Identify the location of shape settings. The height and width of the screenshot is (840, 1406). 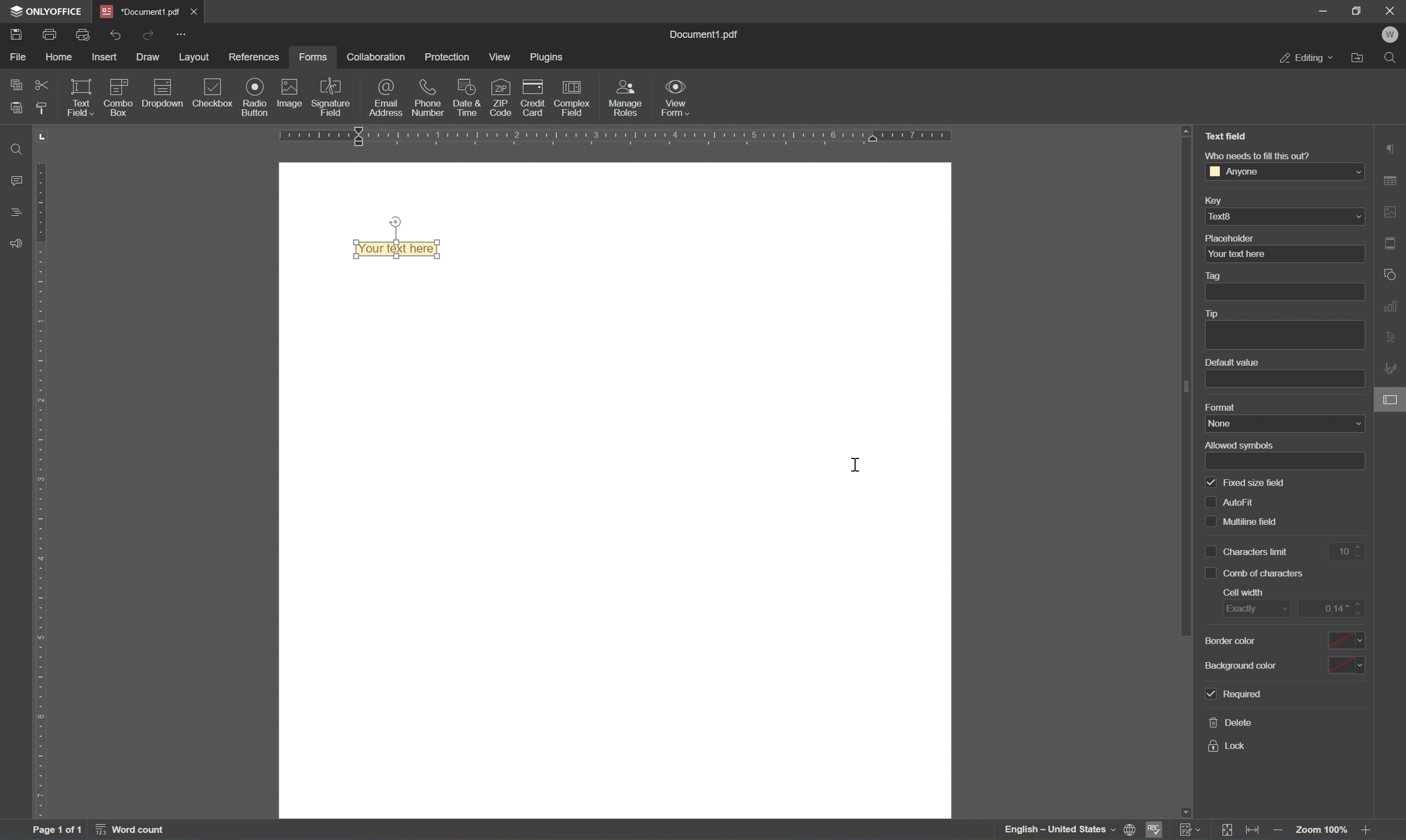
(1391, 276).